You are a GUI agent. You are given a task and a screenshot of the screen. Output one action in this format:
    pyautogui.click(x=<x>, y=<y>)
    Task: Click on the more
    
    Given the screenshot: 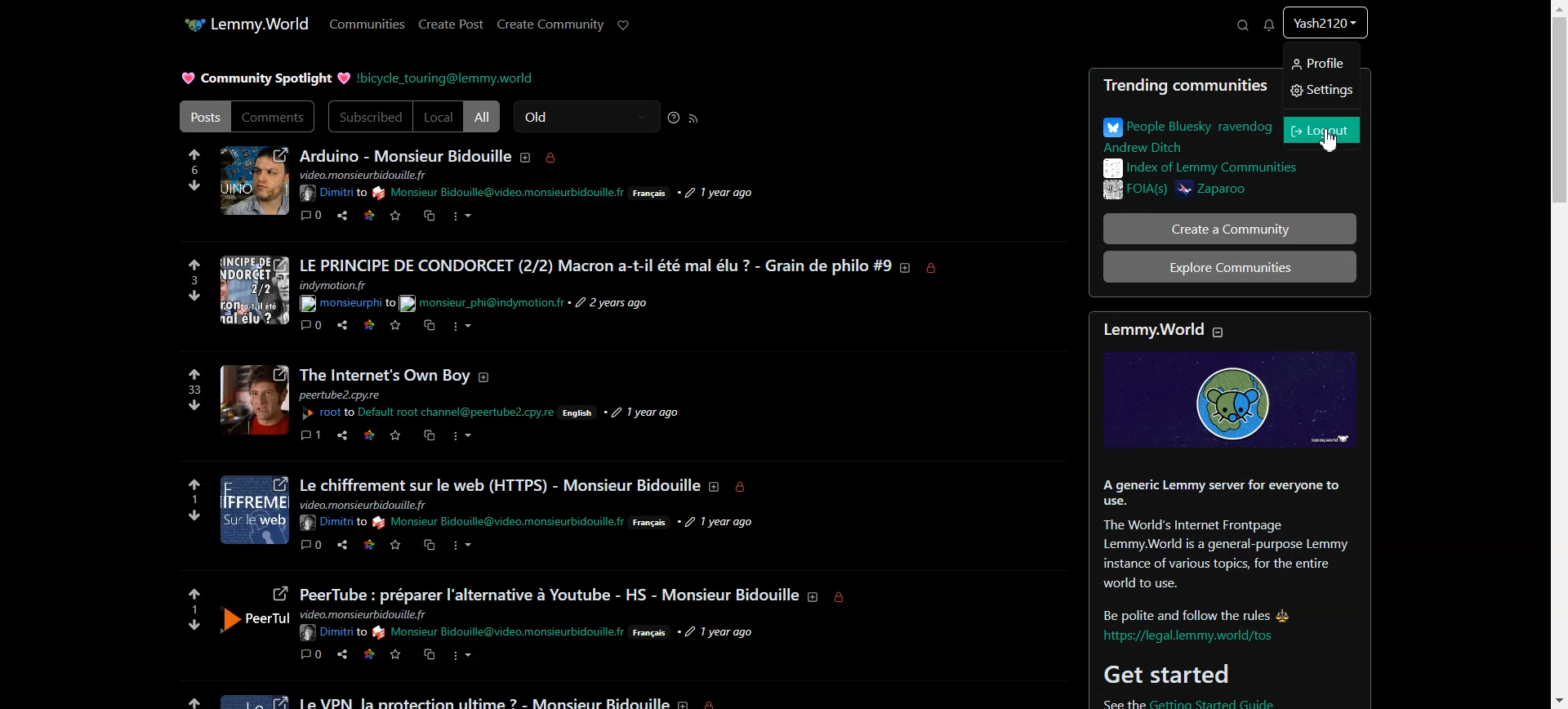 What is the action you would take?
    pyautogui.click(x=465, y=547)
    